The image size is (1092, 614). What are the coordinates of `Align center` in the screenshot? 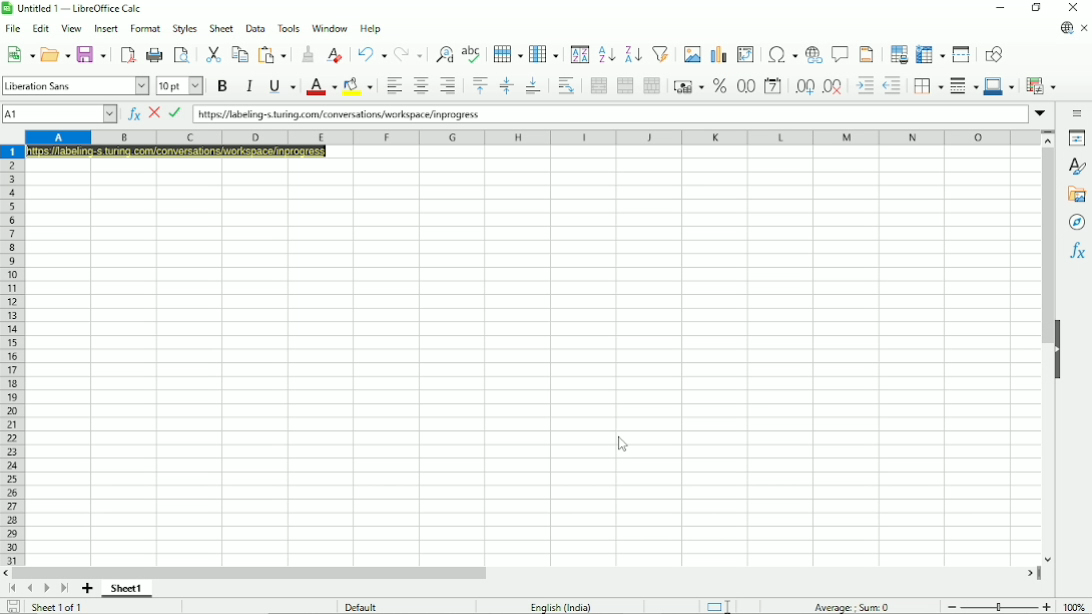 It's located at (419, 85).